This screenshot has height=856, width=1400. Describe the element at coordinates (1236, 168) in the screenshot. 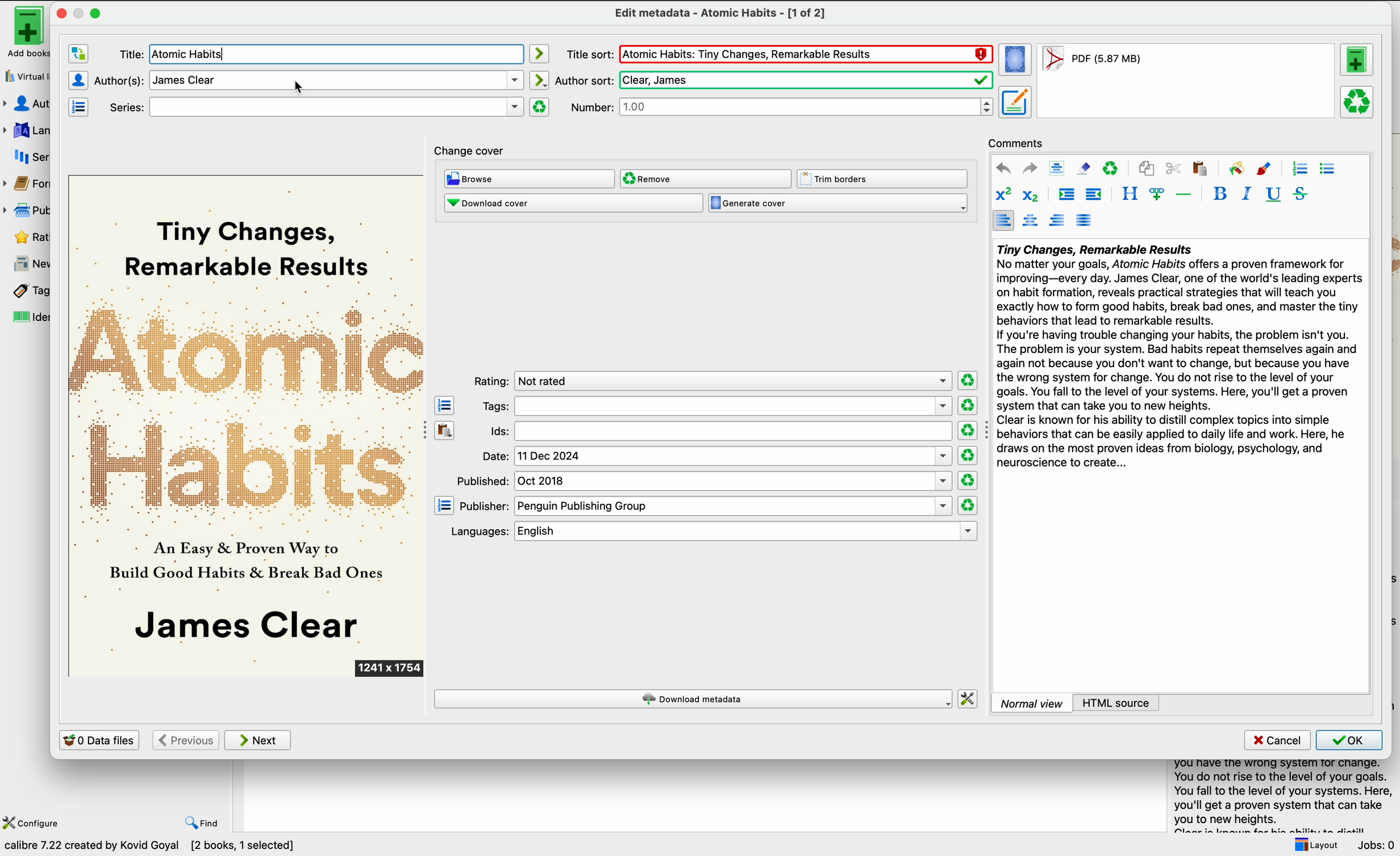

I see `background color` at that location.